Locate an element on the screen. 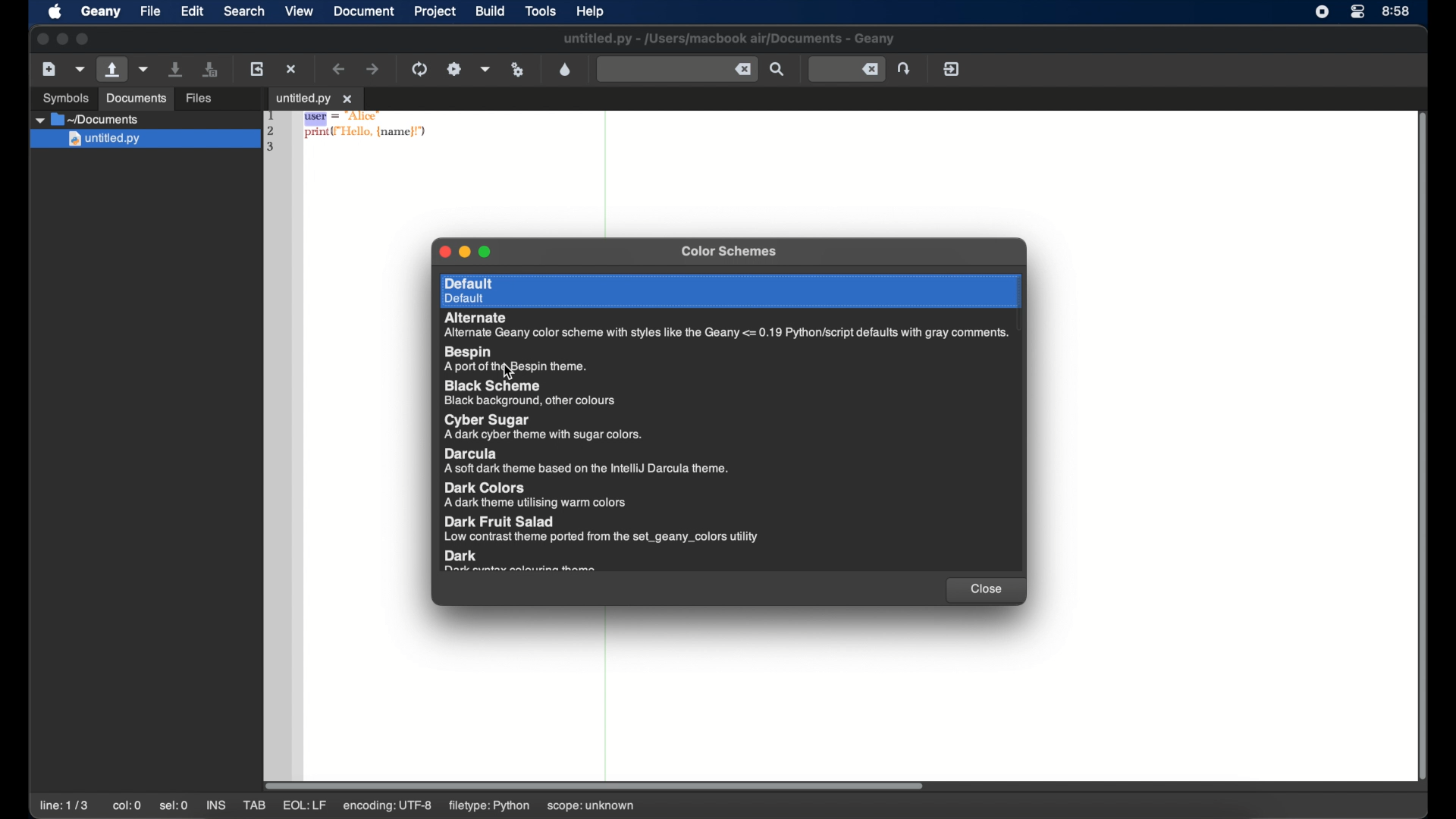  open existing file is located at coordinates (112, 69).